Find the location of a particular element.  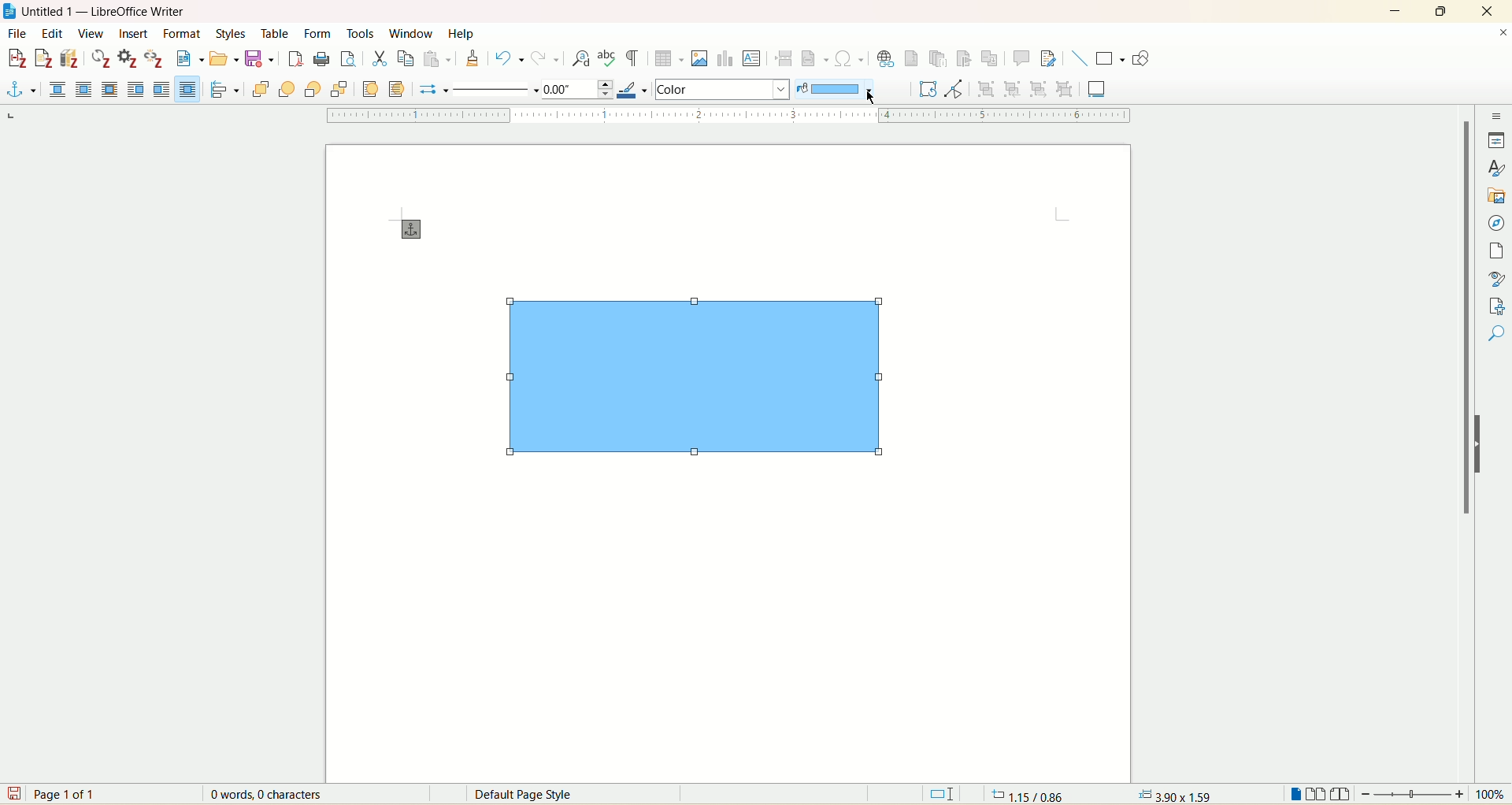

cursor is located at coordinates (873, 98).